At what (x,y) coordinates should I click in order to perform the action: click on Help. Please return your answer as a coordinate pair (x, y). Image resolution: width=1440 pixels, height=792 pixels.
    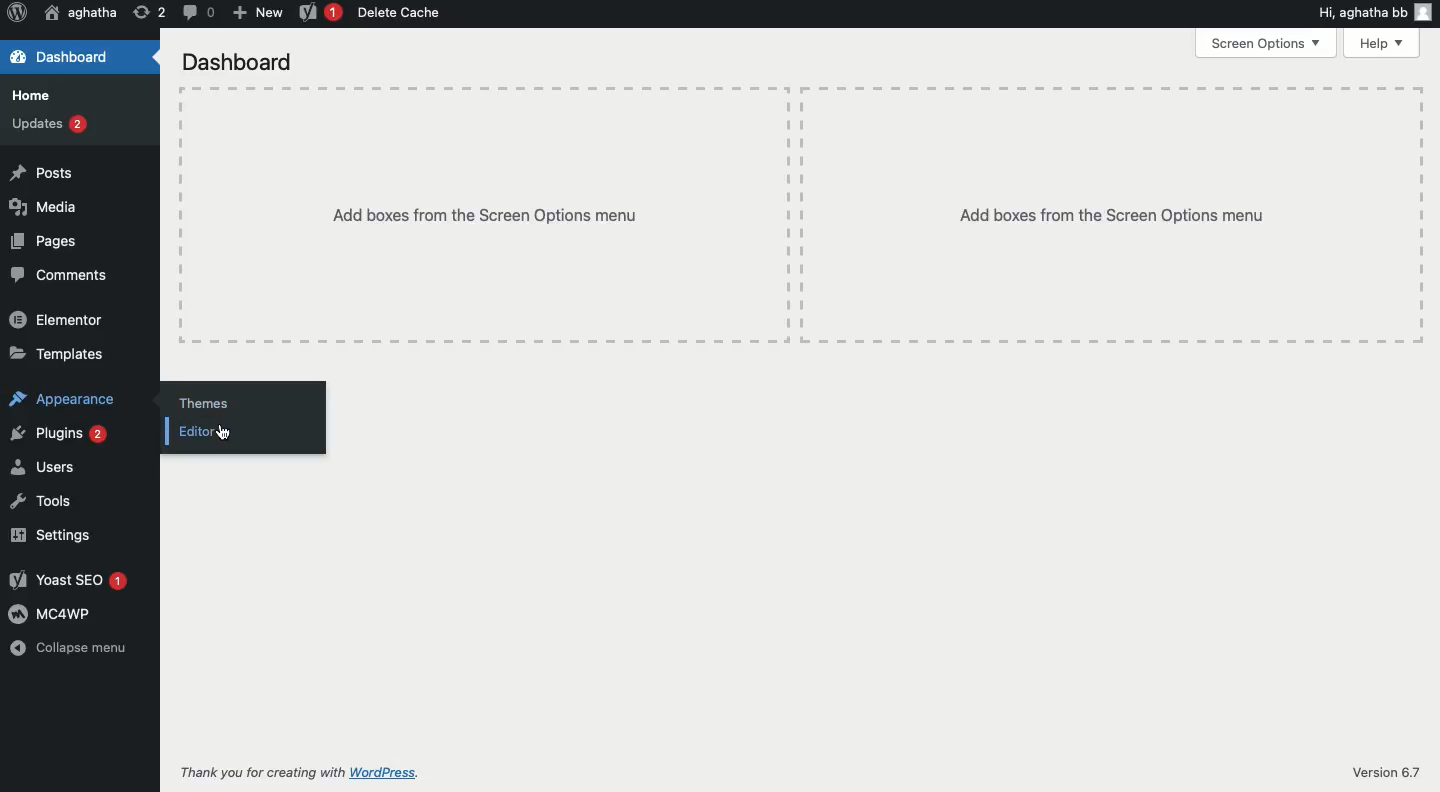
    Looking at the image, I should click on (1382, 42).